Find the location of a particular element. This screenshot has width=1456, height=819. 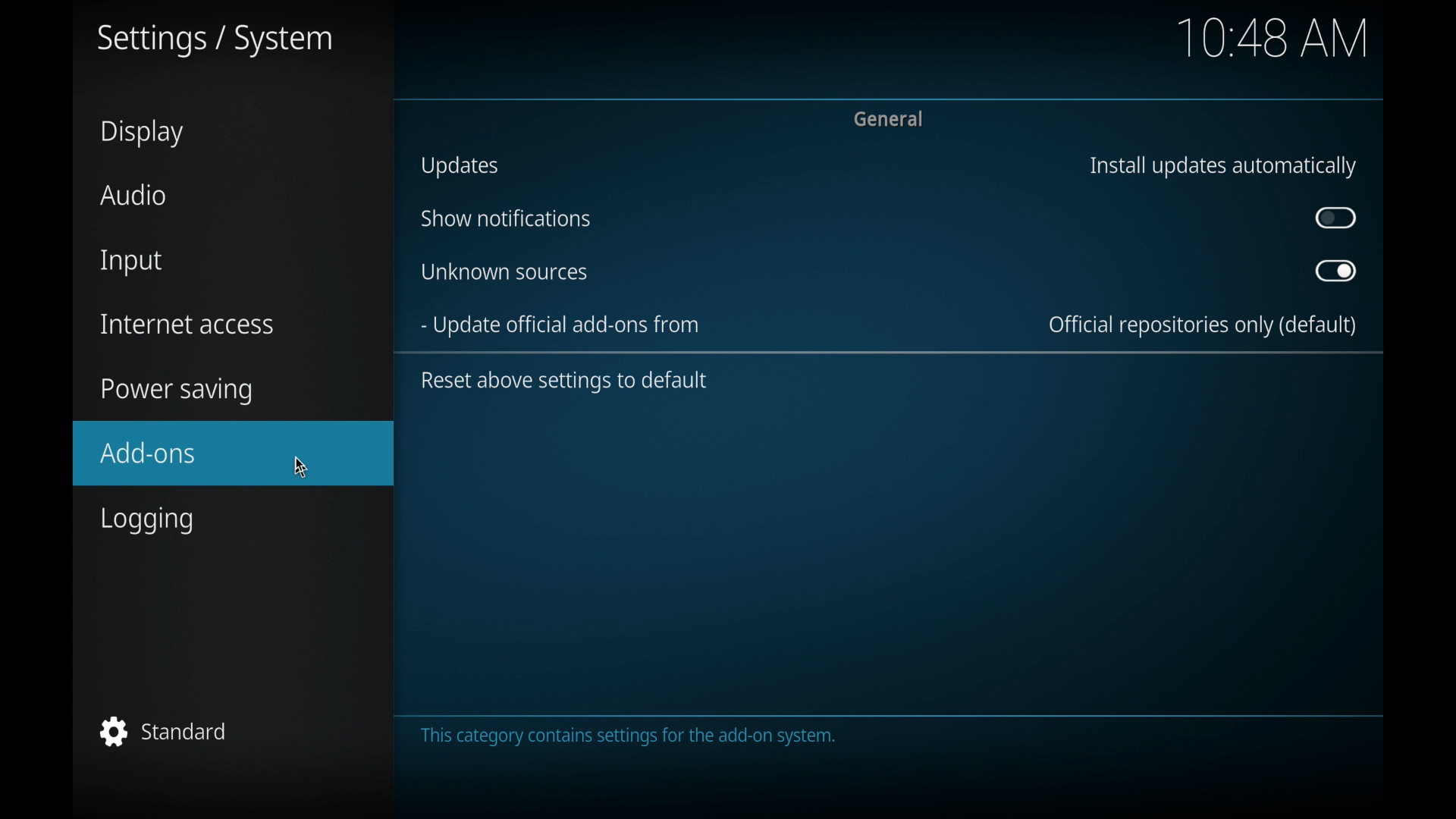

power saving is located at coordinates (177, 391).